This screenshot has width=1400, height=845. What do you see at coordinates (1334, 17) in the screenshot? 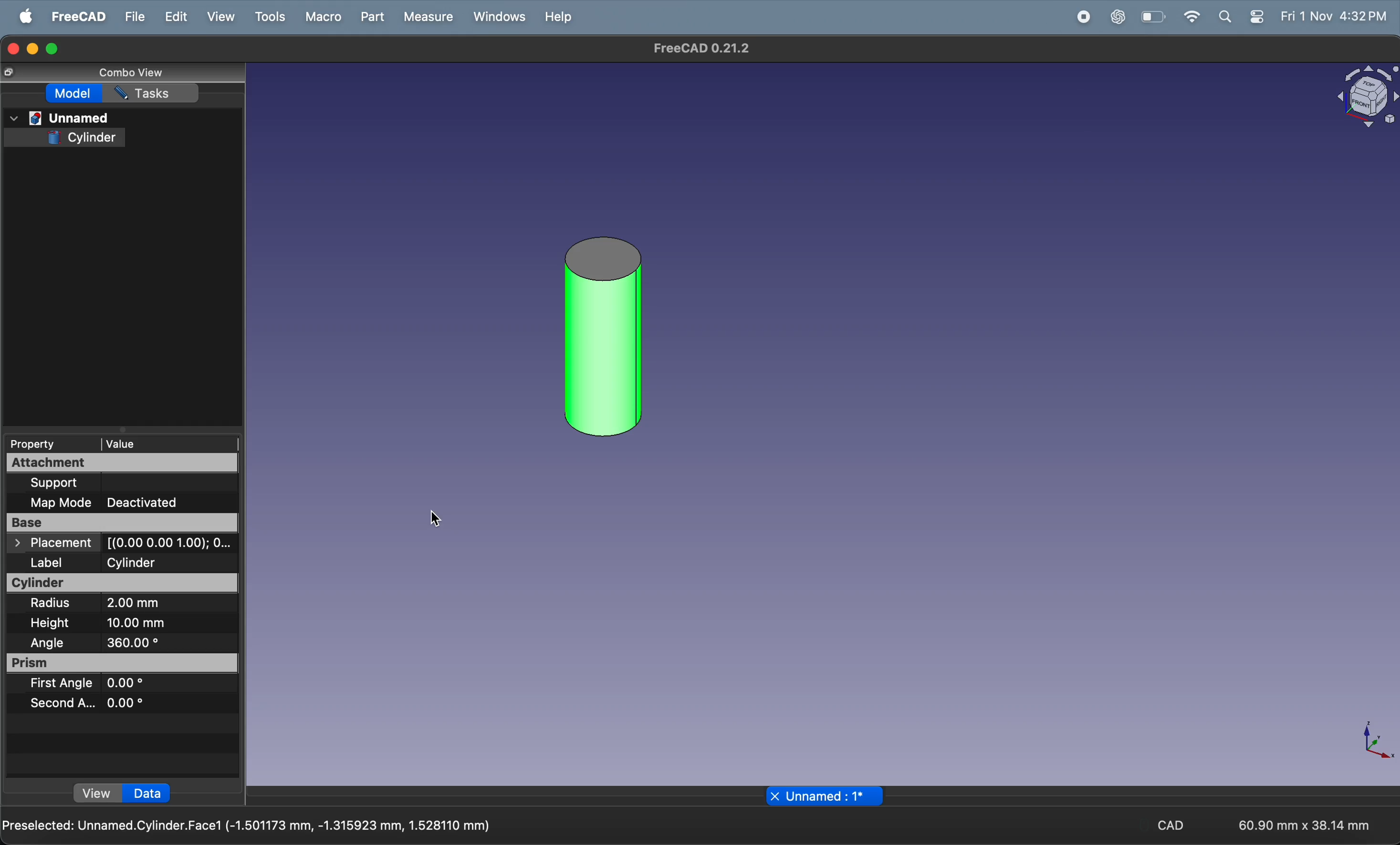
I see `Fri 1 Nov 4:32 PM` at bounding box center [1334, 17].